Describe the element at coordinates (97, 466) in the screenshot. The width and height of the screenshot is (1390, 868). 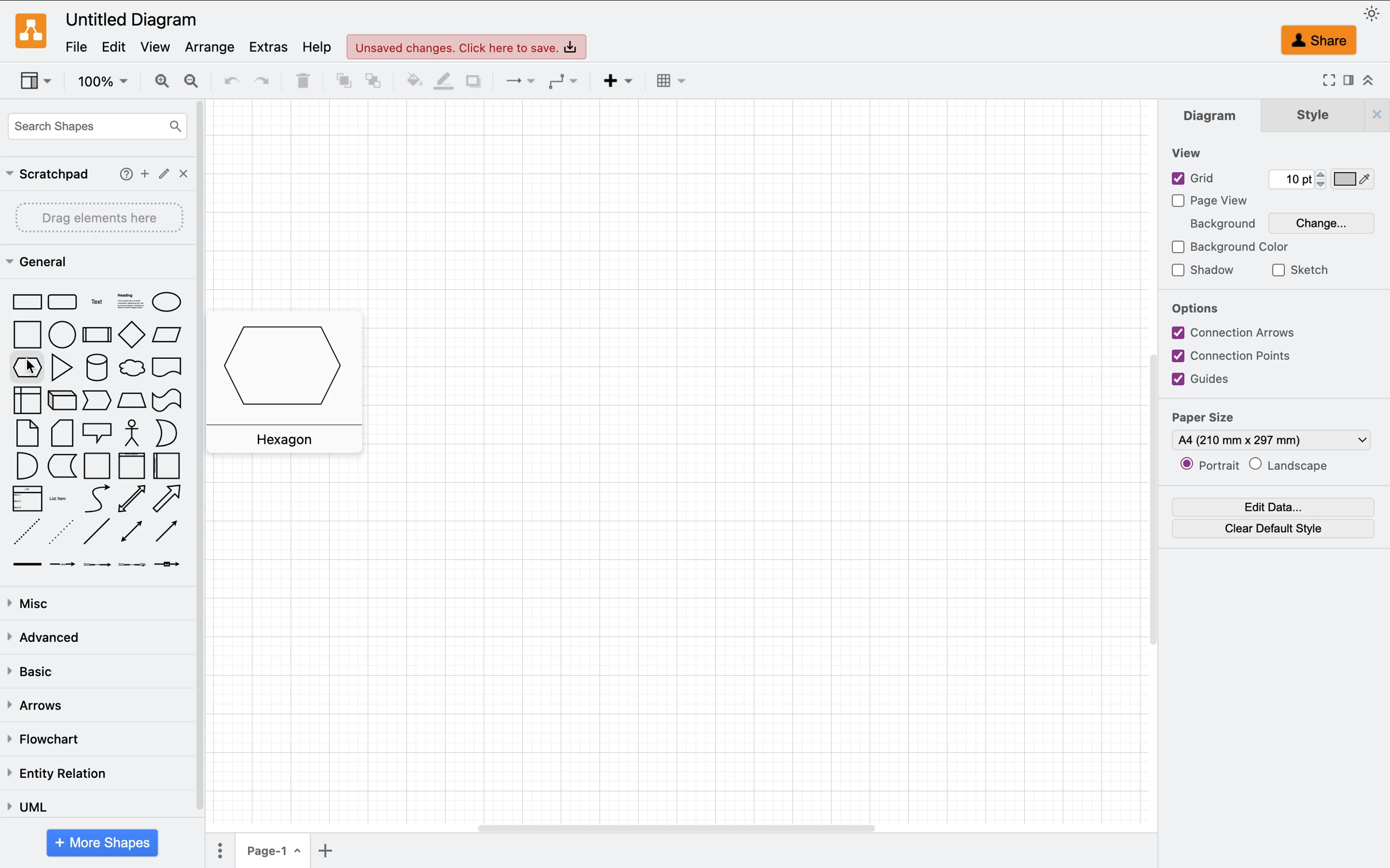
I see `container` at that location.